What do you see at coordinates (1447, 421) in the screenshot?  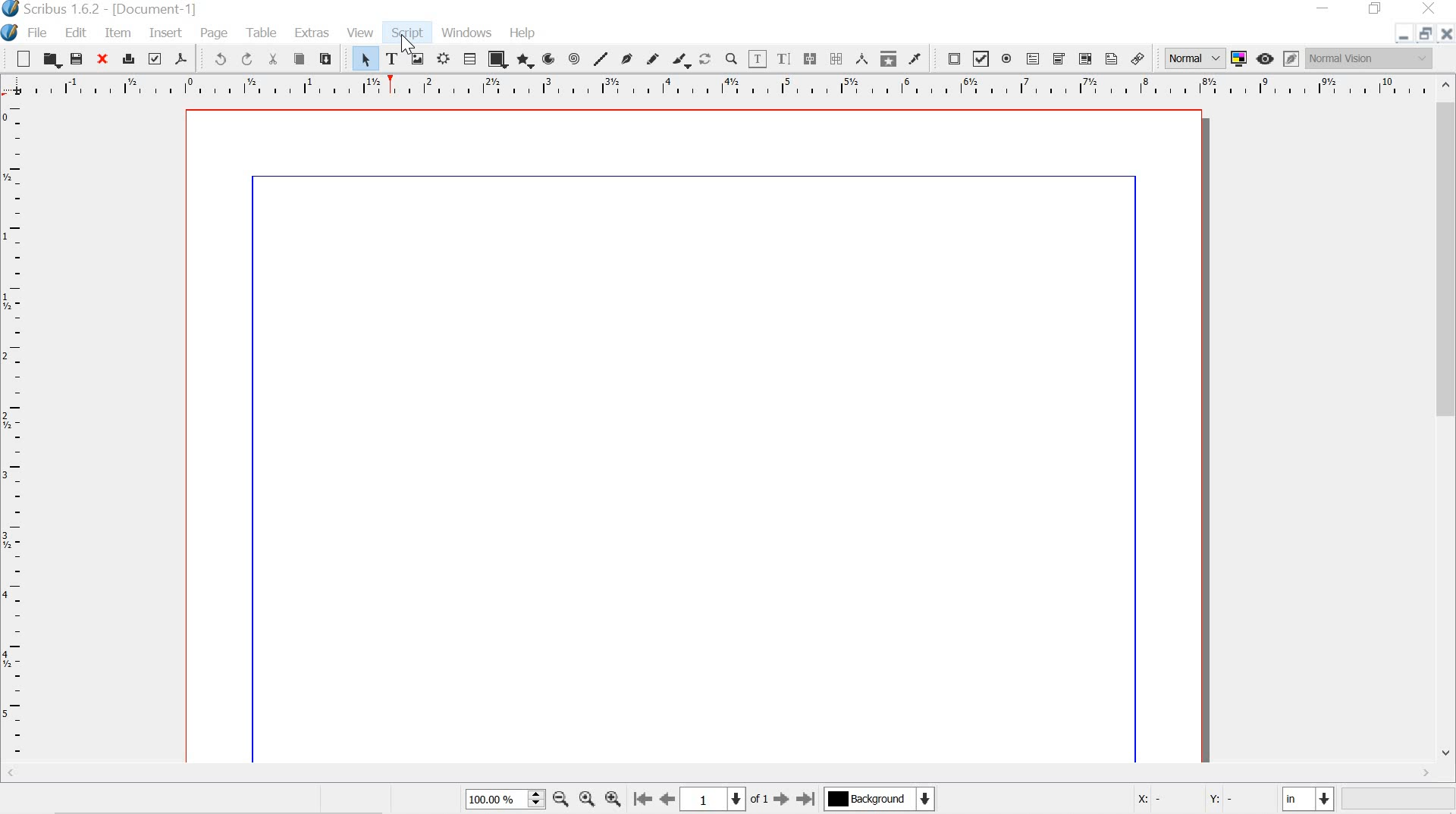 I see `scrollbar` at bounding box center [1447, 421].